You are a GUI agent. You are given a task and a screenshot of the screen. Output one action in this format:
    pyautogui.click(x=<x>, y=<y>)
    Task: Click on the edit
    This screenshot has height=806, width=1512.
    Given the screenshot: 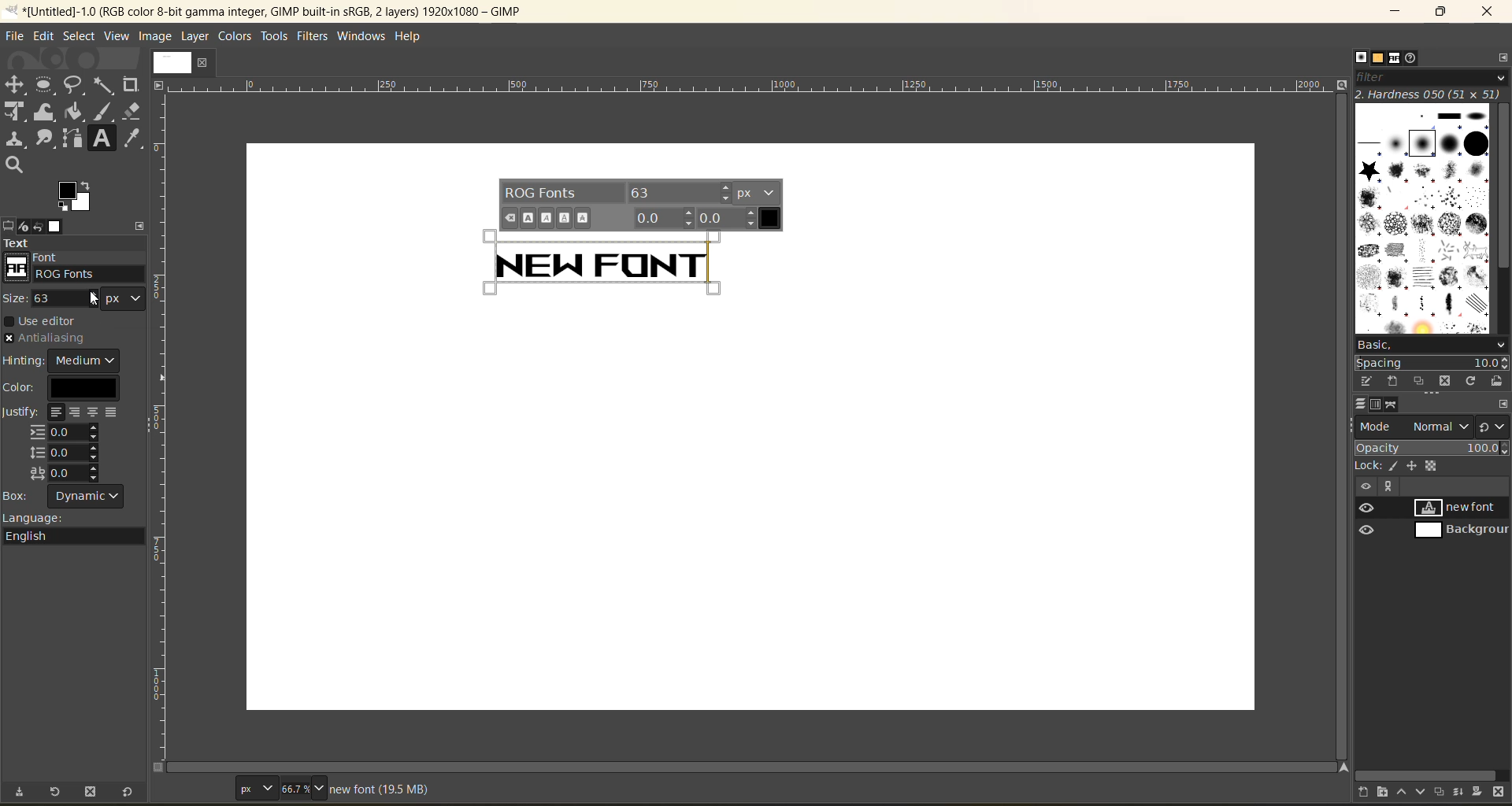 What is the action you would take?
    pyautogui.click(x=45, y=38)
    